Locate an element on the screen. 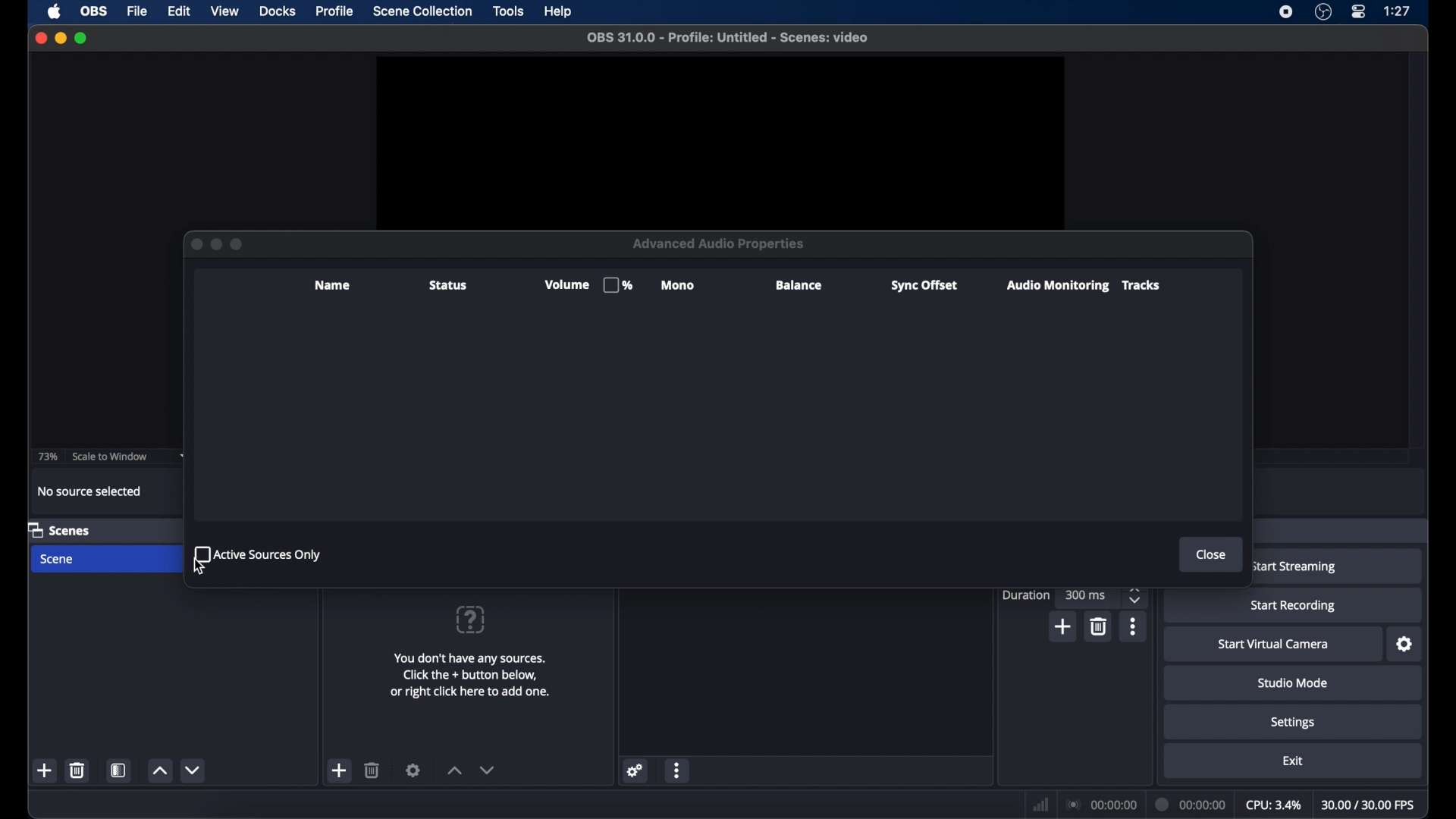  advanced audio properties is located at coordinates (711, 796).